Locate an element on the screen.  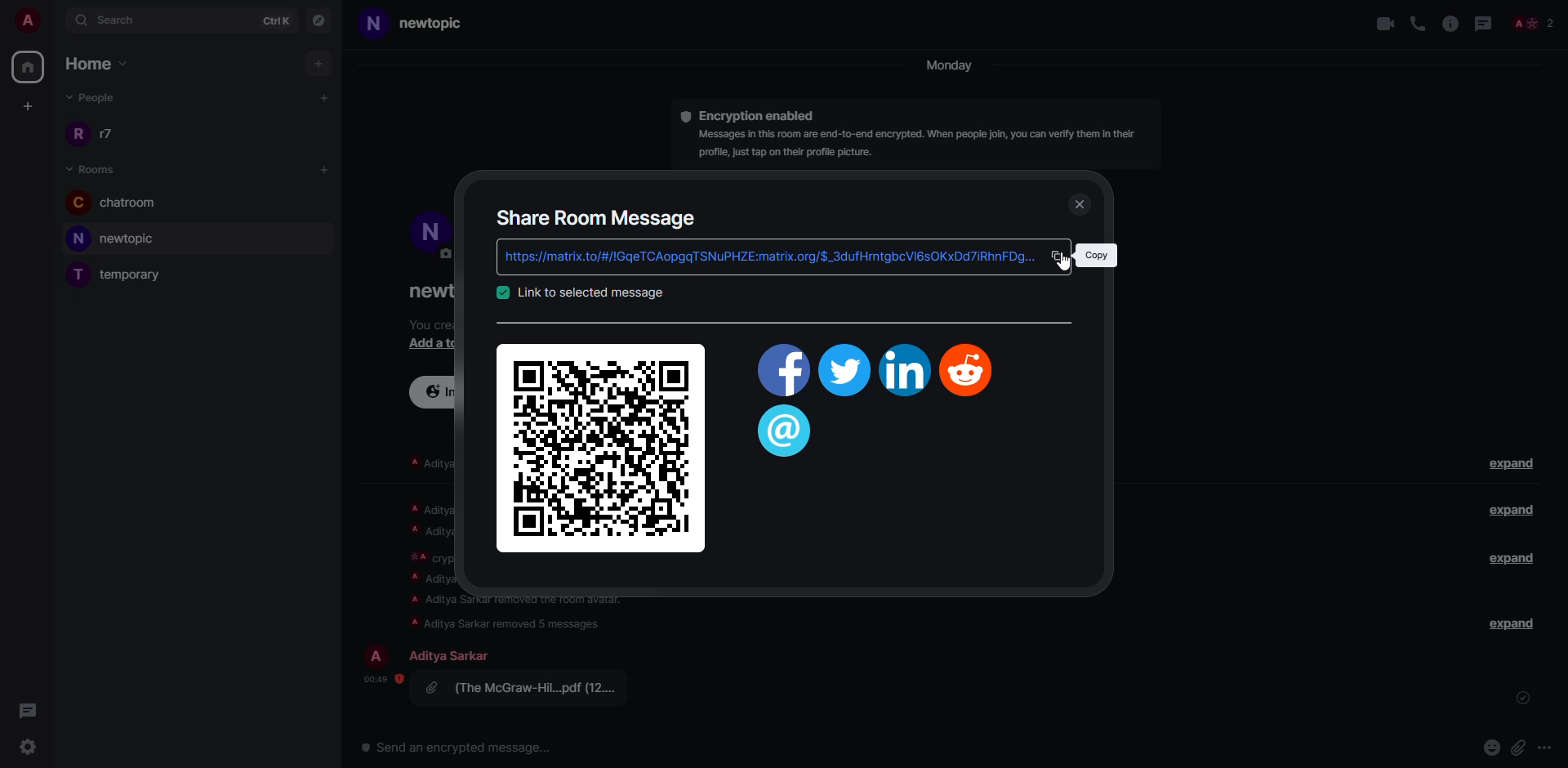
threads is located at coordinates (1481, 23).